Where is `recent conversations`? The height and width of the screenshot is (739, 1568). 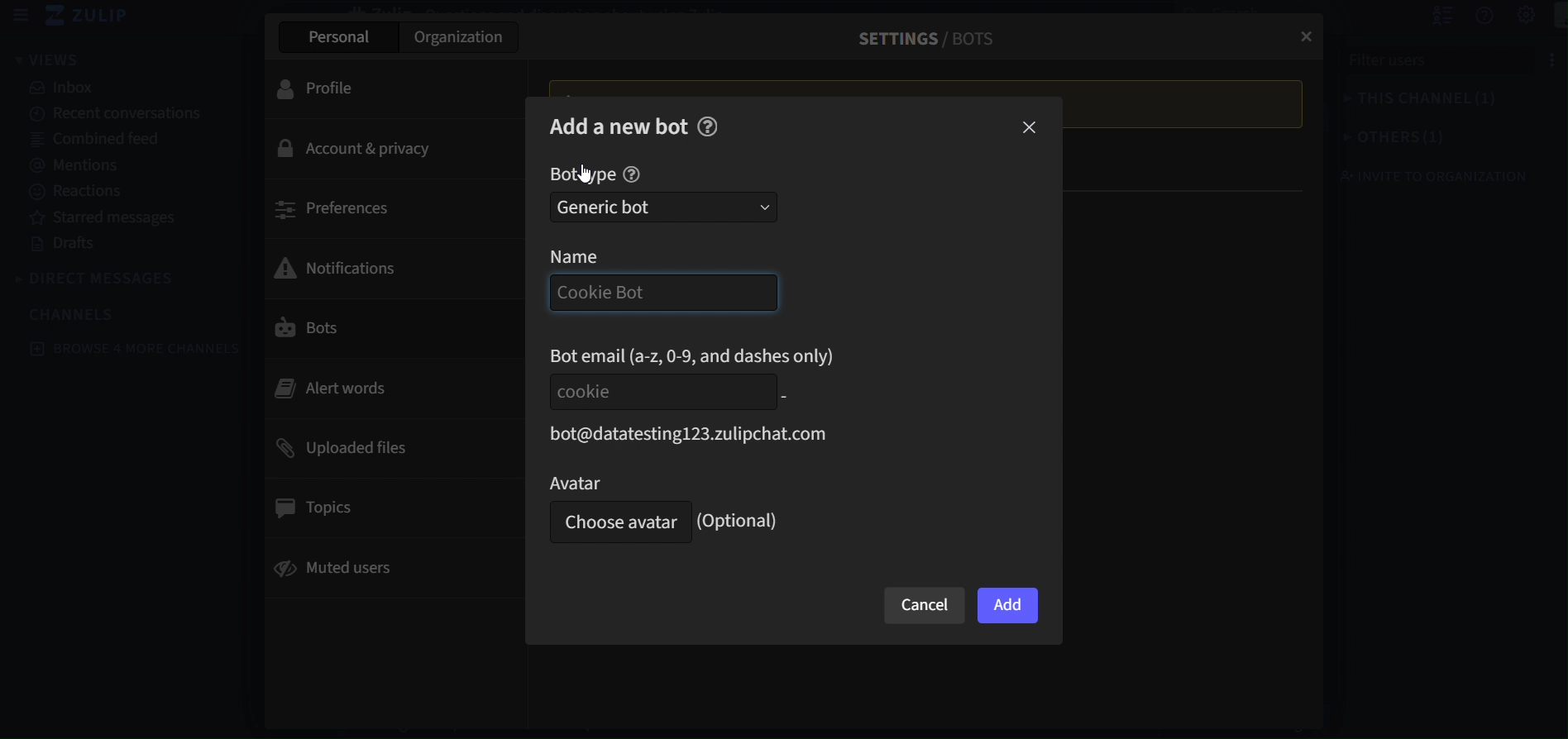
recent conversations is located at coordinates (118, 116).